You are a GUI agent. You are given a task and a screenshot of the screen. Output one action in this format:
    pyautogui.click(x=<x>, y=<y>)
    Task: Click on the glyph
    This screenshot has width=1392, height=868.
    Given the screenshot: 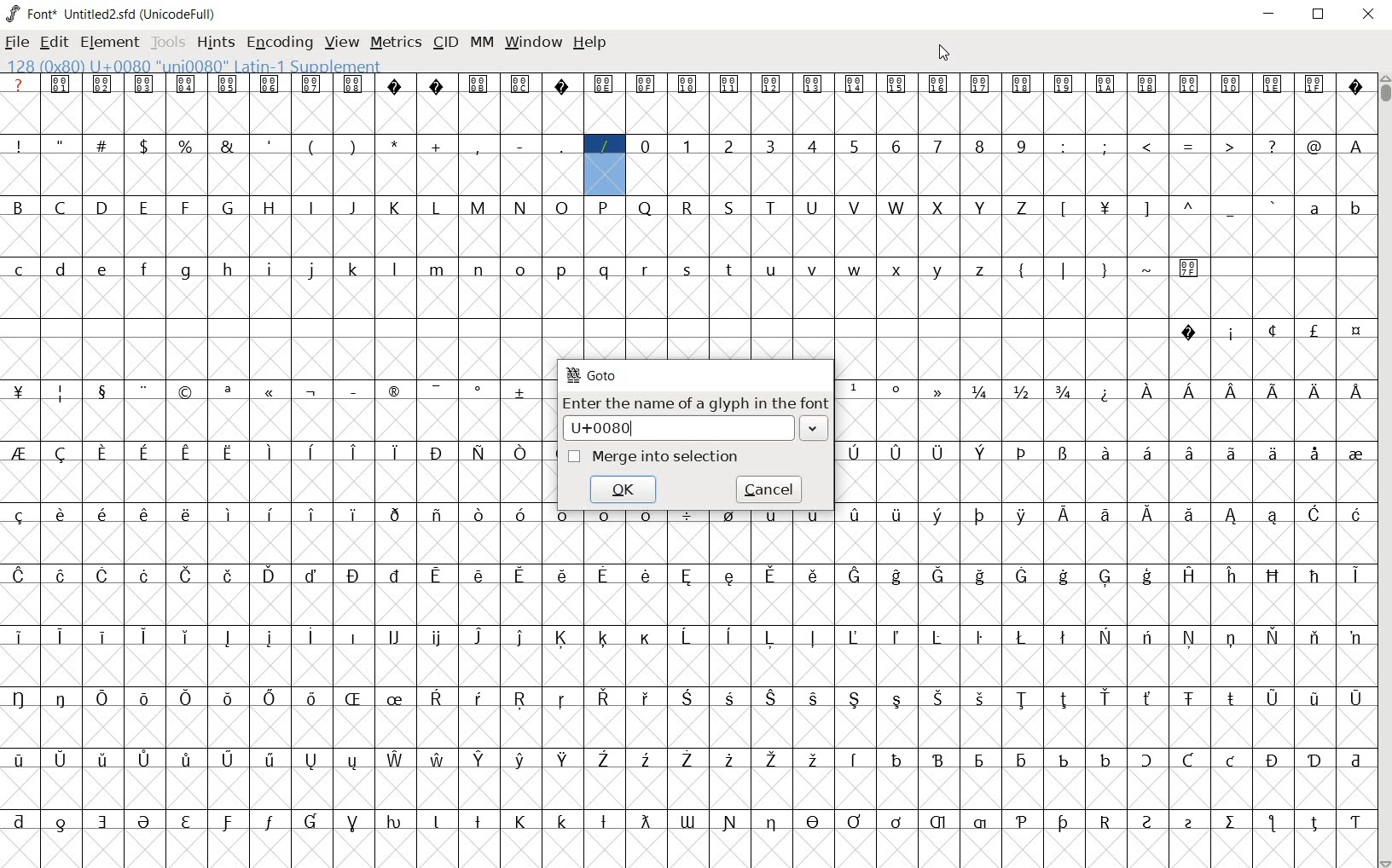 What is the action you would take?
    pyautogui.click(x=896, y=147)
    